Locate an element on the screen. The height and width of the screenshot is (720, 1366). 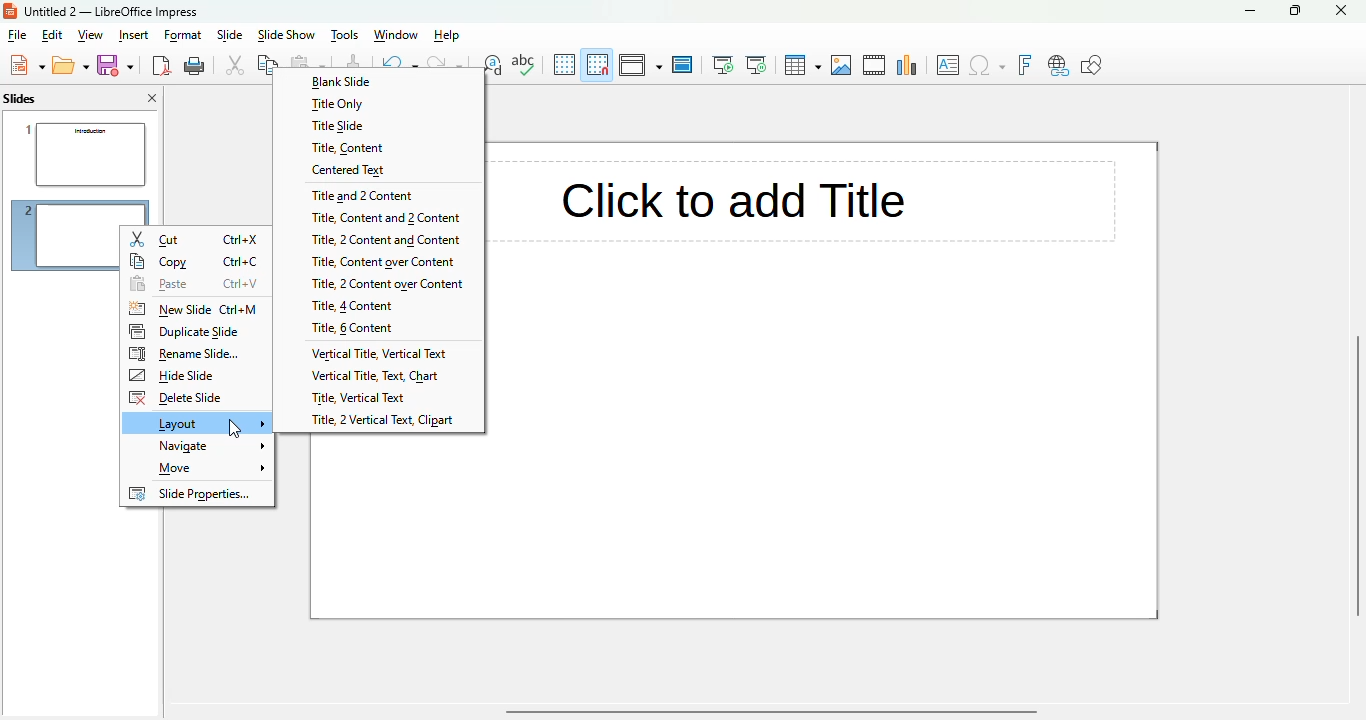
title, 2 content over content is located at coordinates (378, 283).